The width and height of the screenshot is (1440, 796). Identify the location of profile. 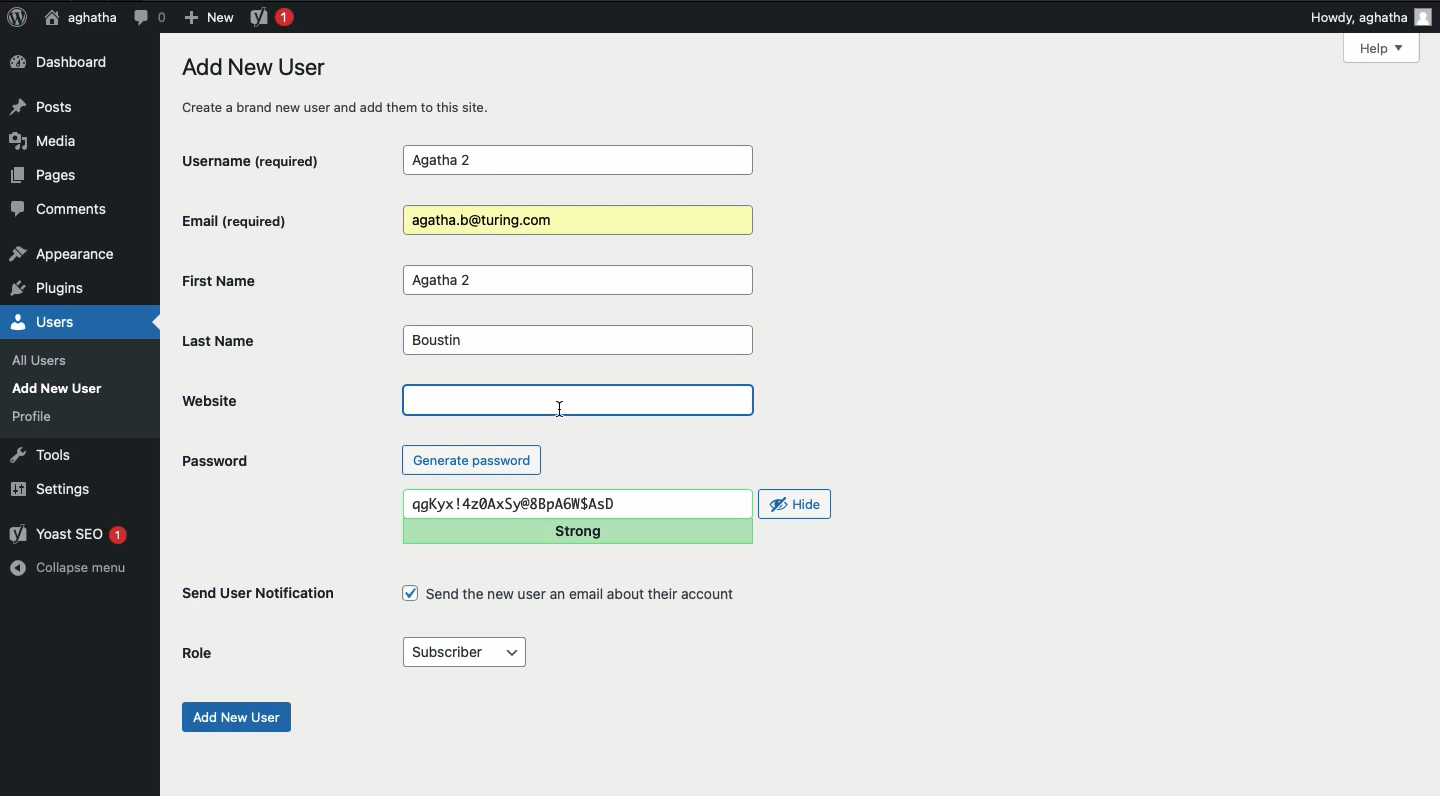
(38, 416).